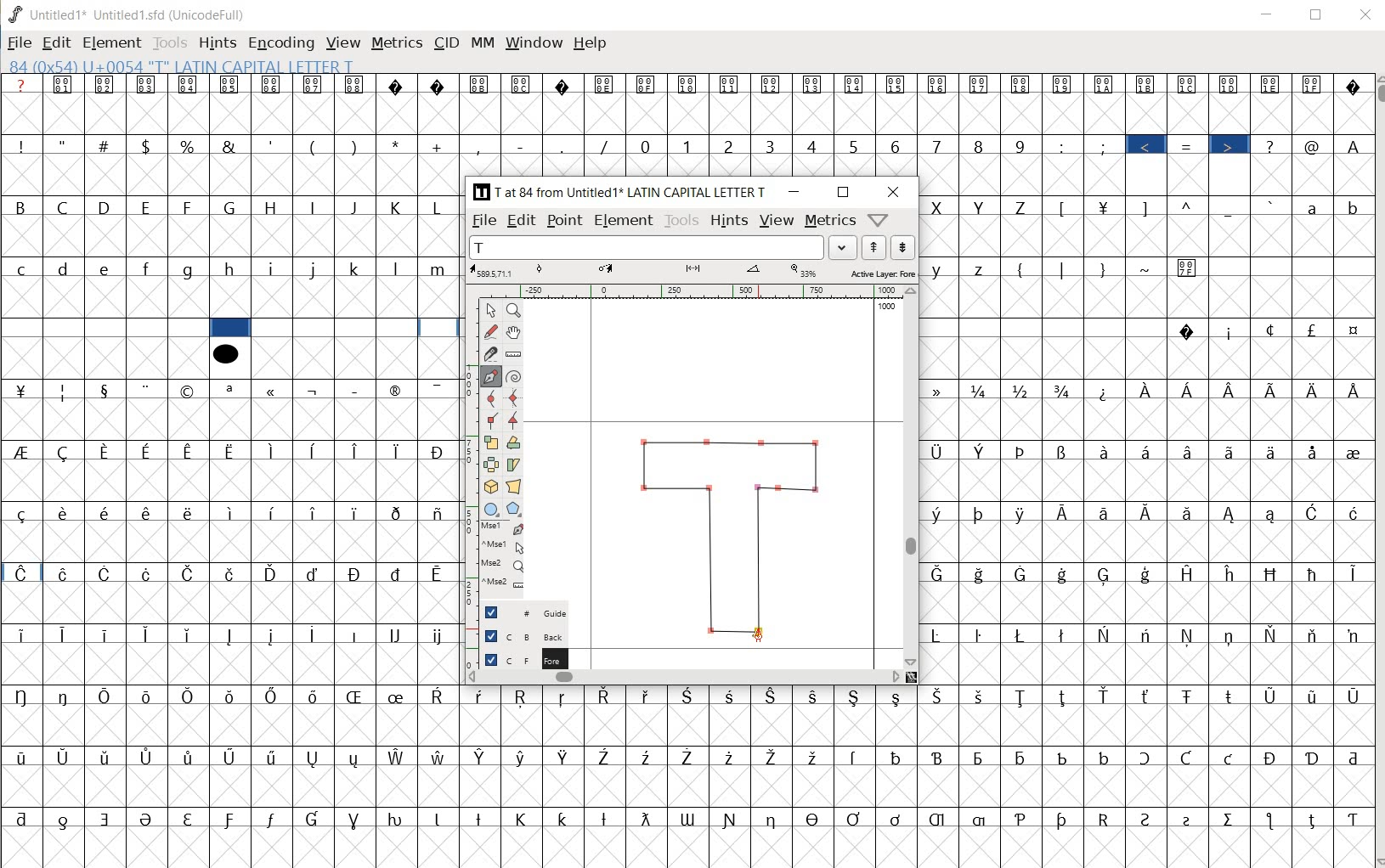  I want to click on d, so click(65, 268).